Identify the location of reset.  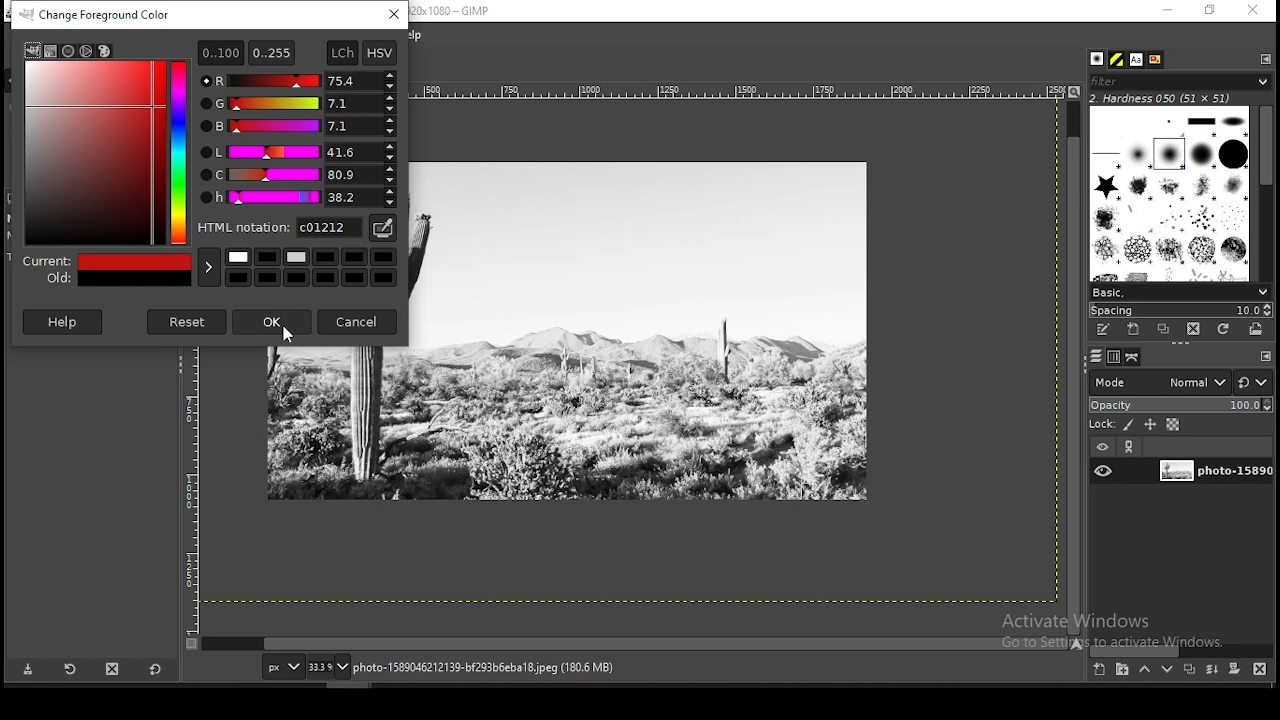
(189, 322).